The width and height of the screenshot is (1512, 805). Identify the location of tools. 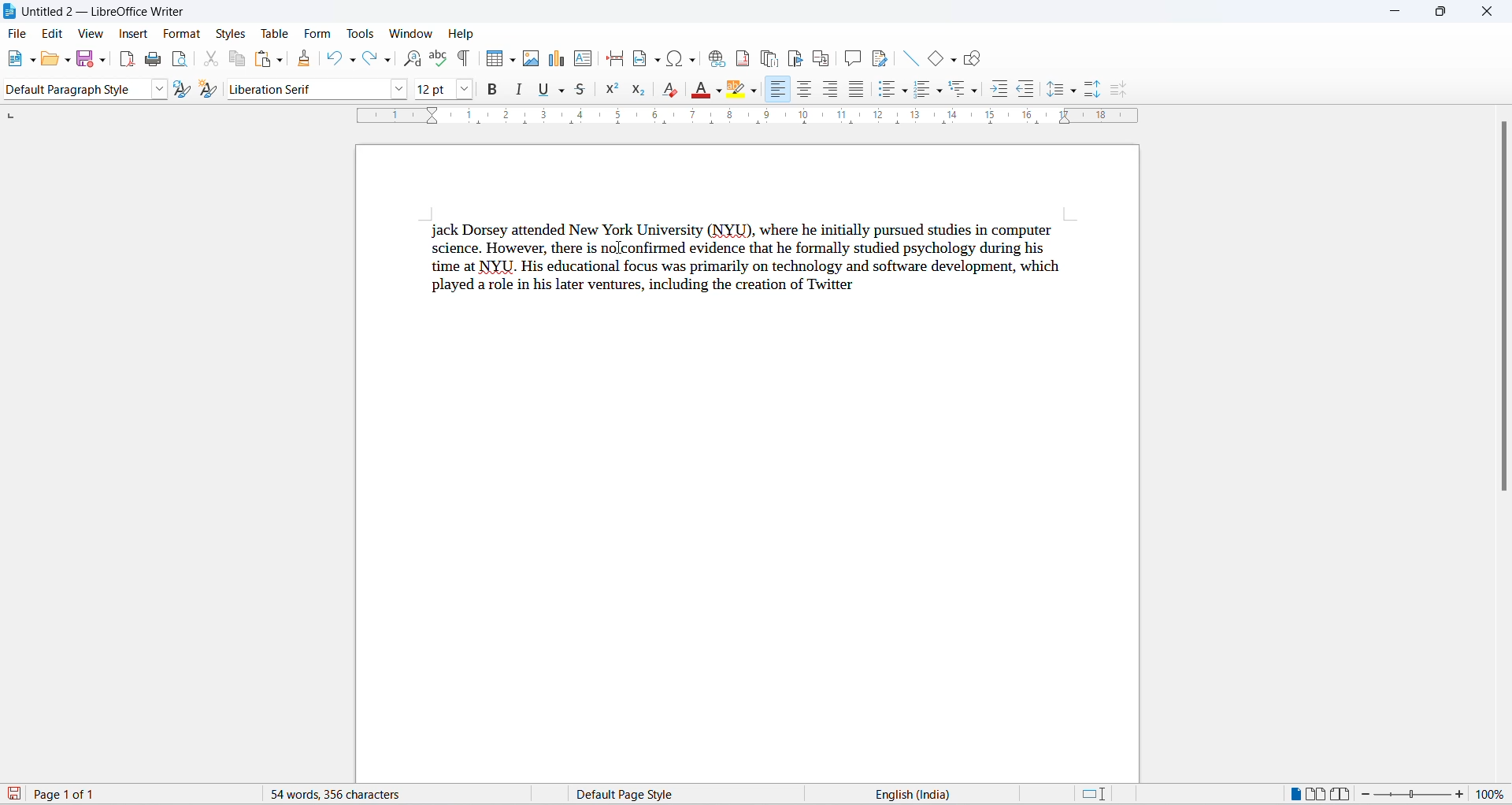
(361, 34).